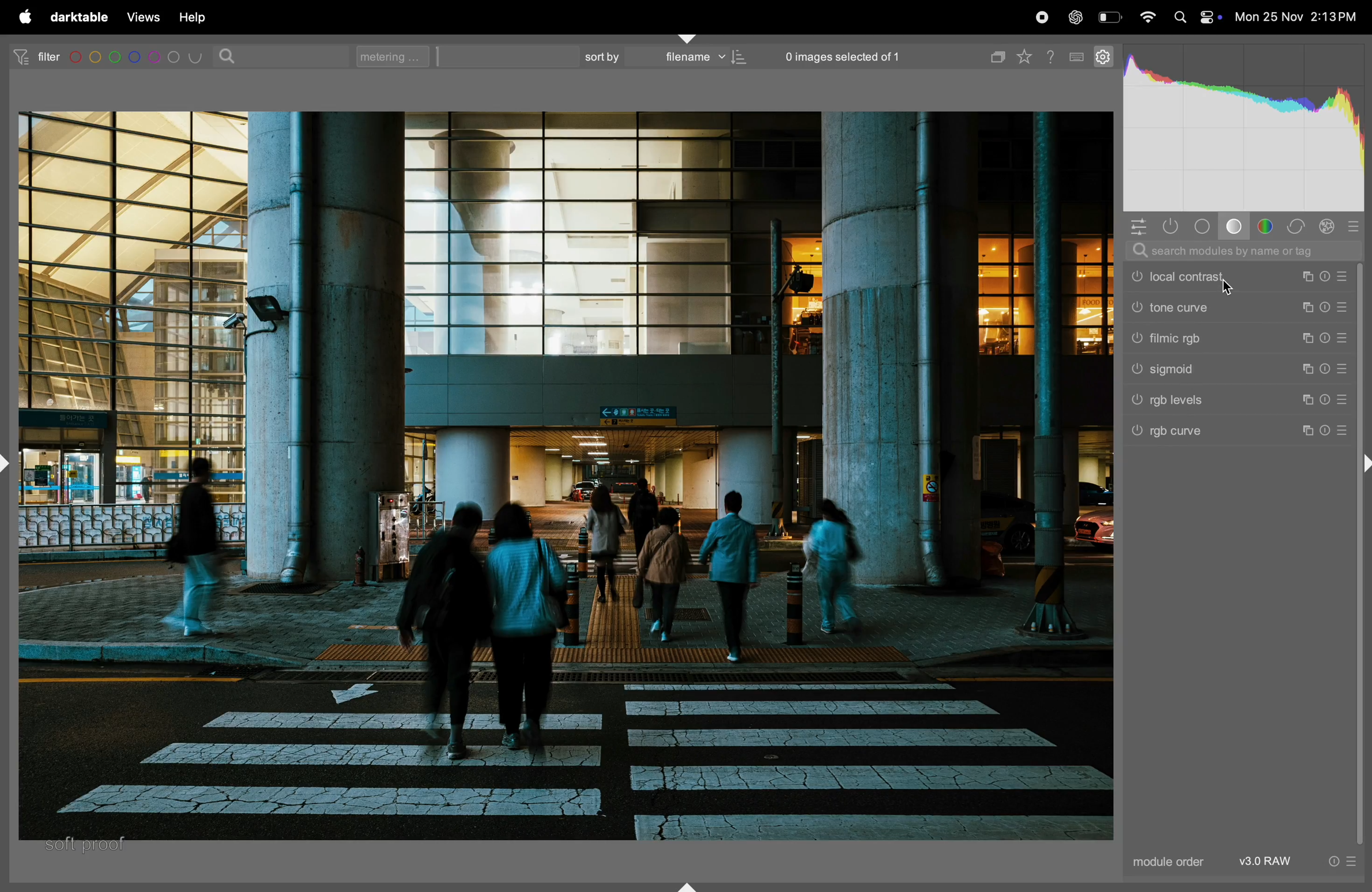 The image size is (1372, 892). I want to click on histogram, so click(1240, 131).